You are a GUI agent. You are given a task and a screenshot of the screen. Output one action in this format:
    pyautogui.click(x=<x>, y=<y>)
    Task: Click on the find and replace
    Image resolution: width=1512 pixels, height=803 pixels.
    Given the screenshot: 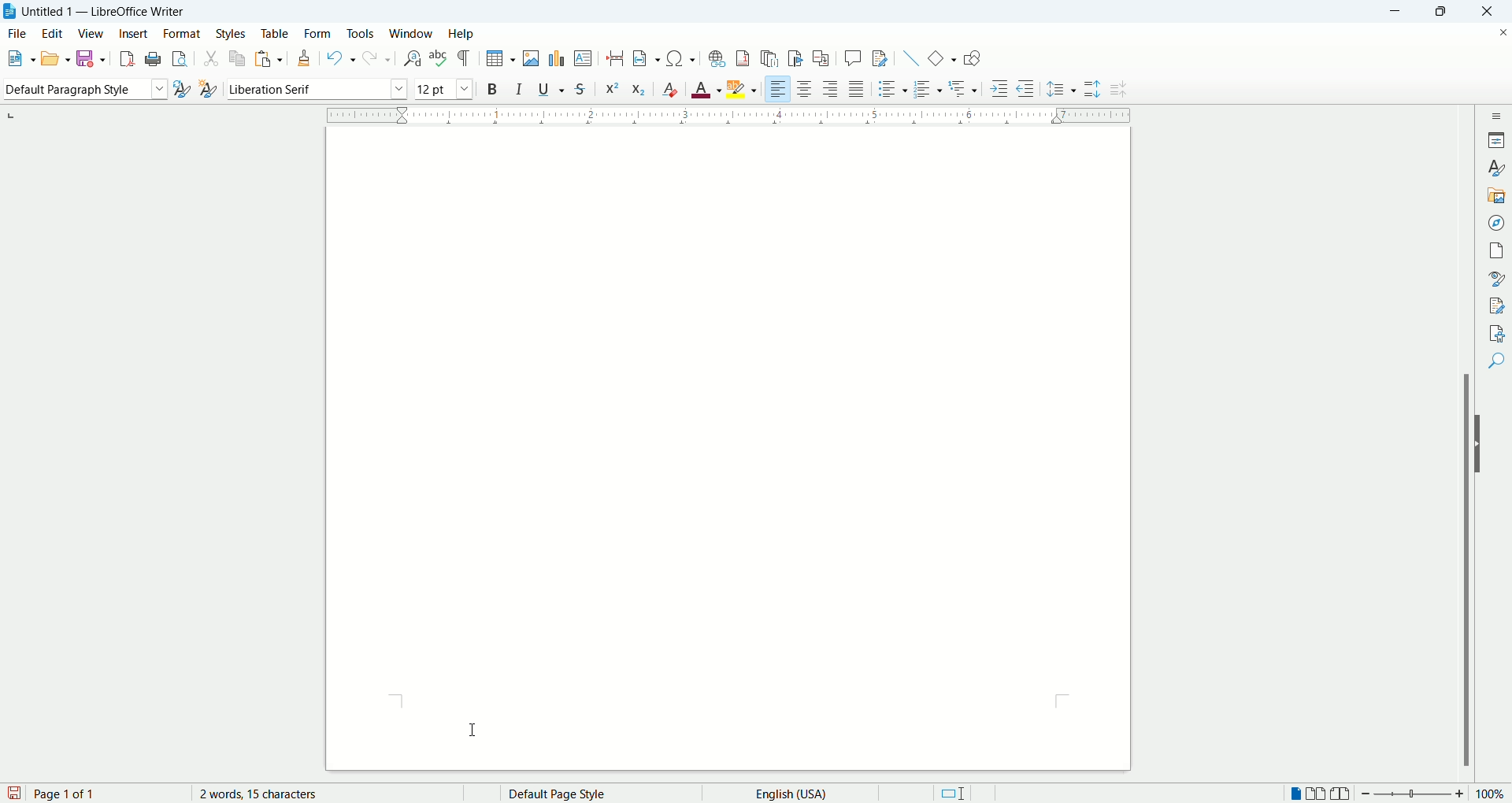 What is the action you would take?
    pyautogui.click(x=411, y=58)
    